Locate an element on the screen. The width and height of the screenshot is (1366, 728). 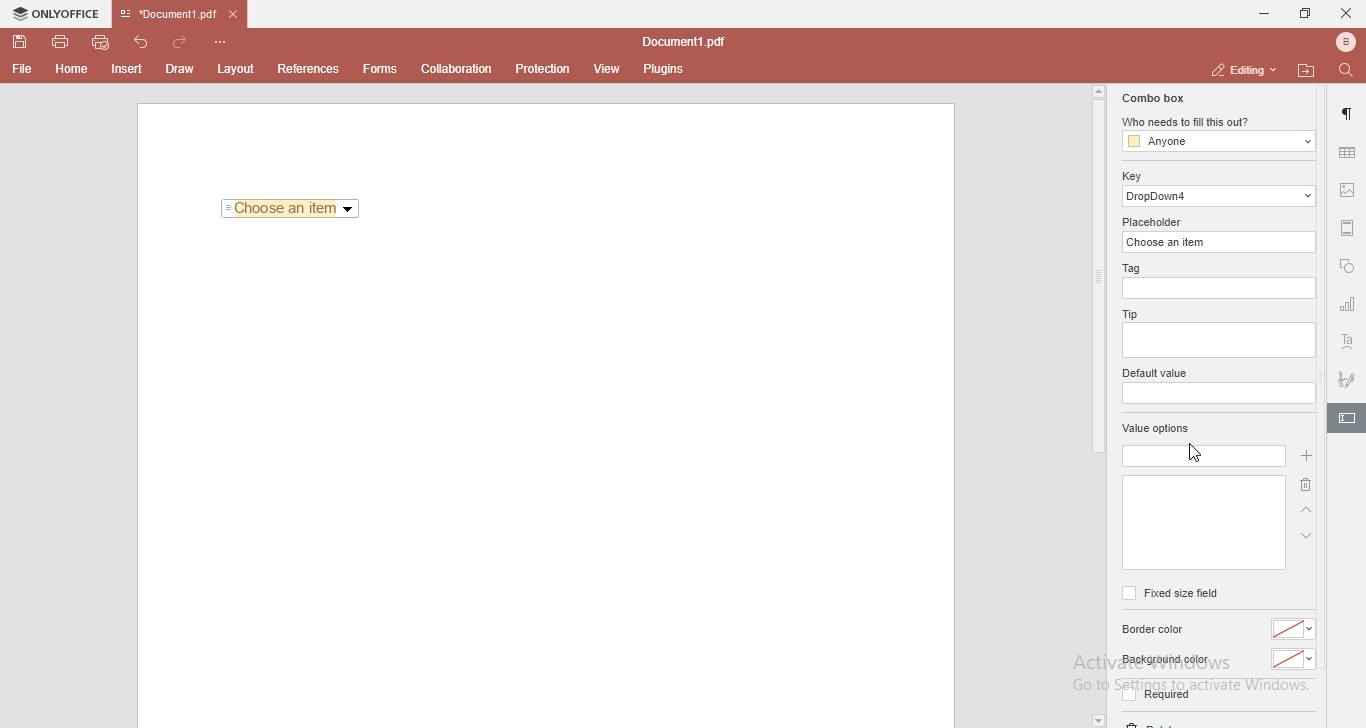
Insert is located at coordinates (127, 70).